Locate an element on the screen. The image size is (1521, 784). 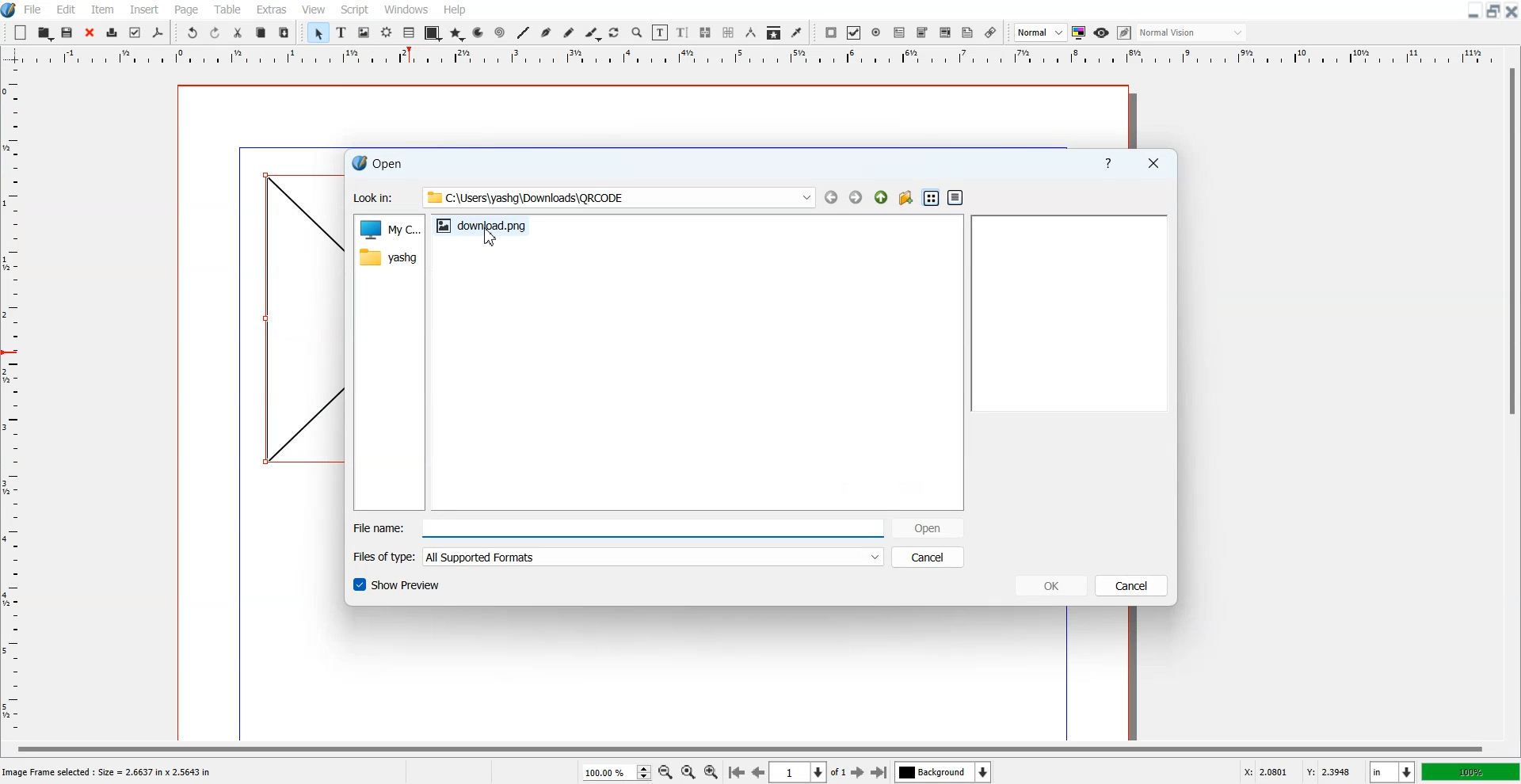
PDF Radio Button is located at coordinates (876, 32).